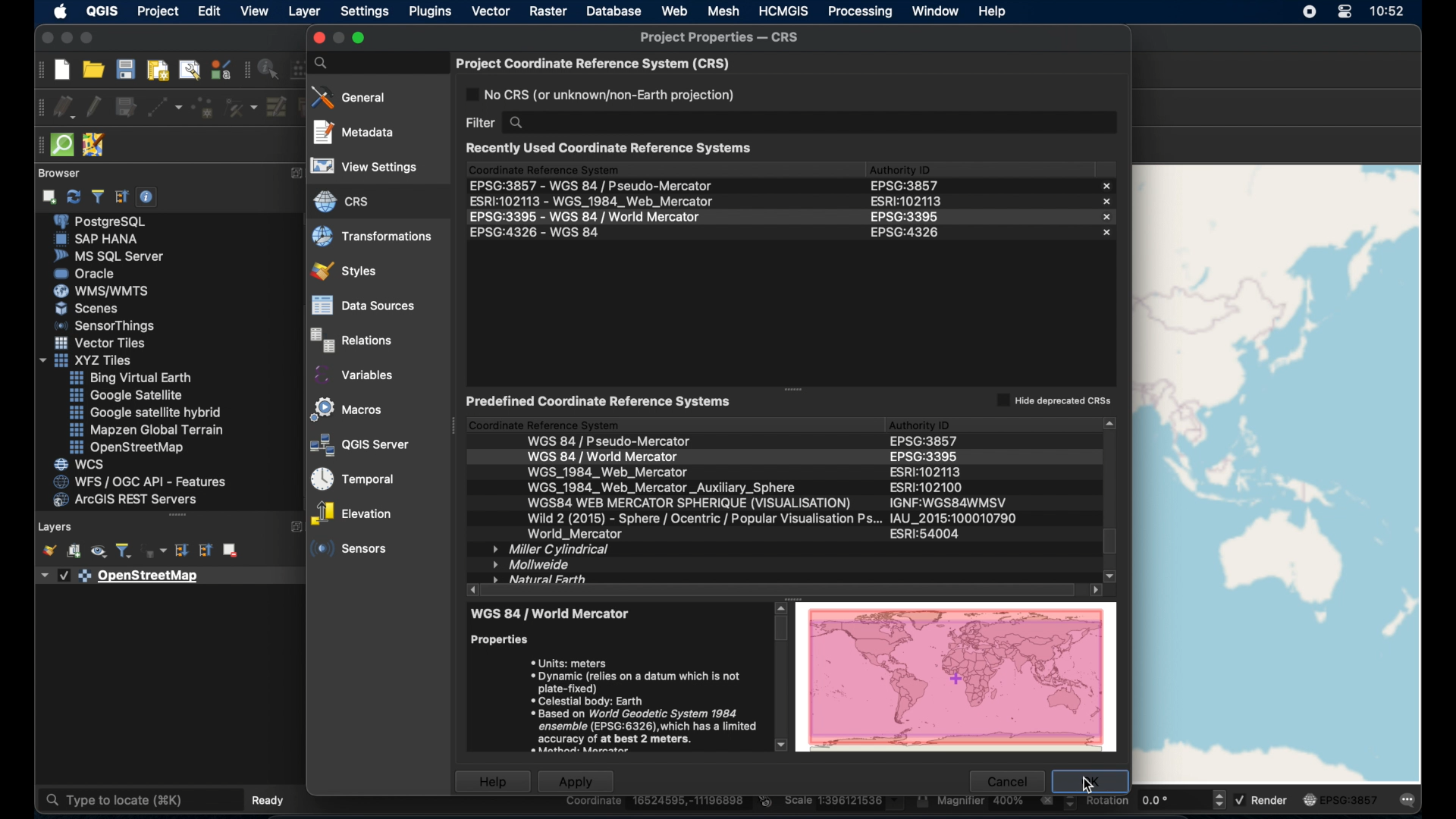 This screenshot has height=819, width=1456. What do you see at coordinates (293, 173) in the screenshot?
I see `expand` at bounding box center [293, 173].